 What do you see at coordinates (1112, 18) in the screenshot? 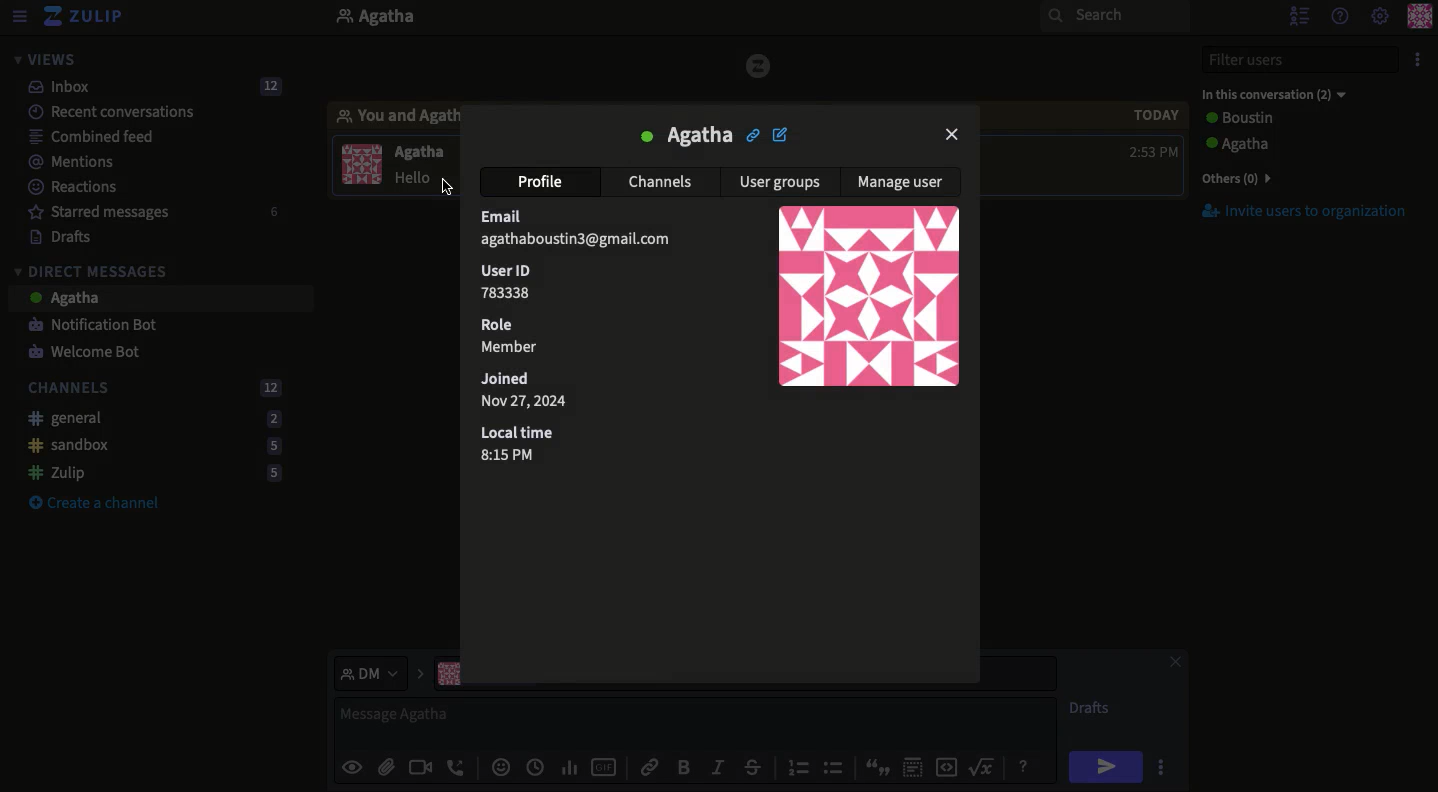
I see `Search` at bounding box center [1112, 18].